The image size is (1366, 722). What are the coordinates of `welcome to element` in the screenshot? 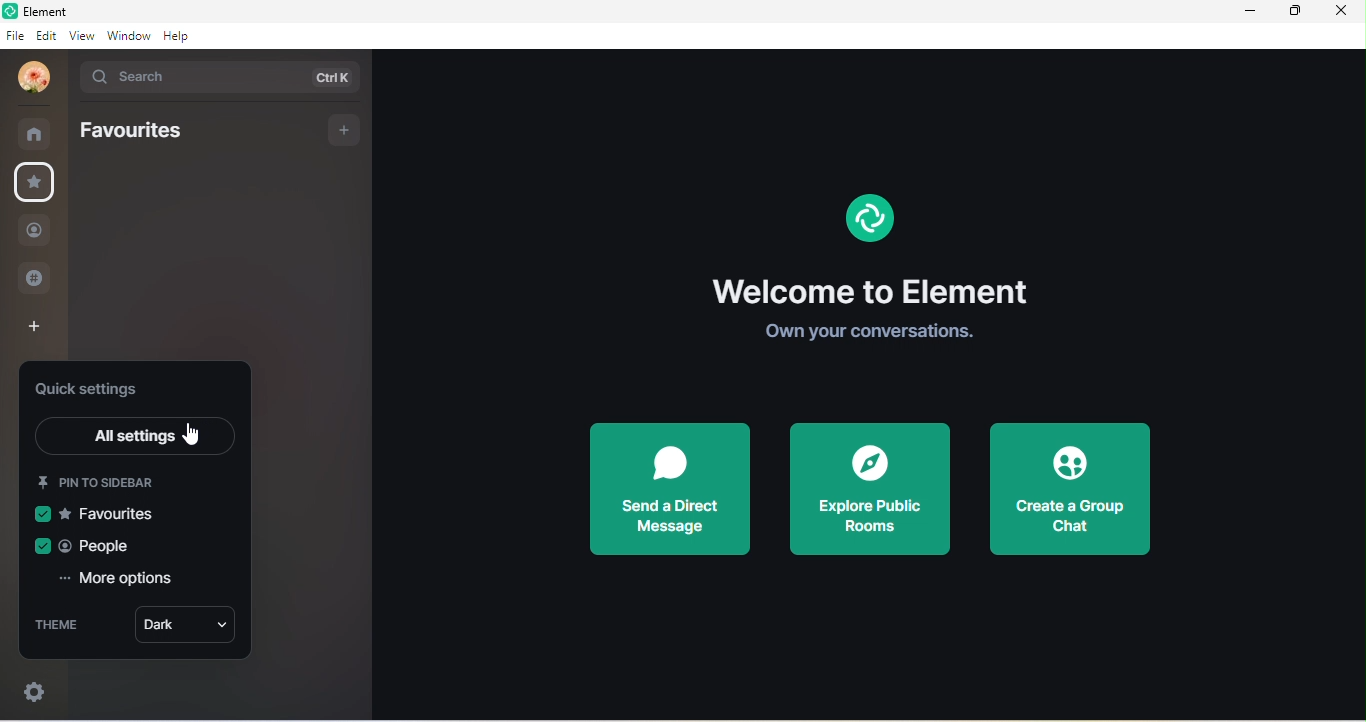 It's located at (873, 289).